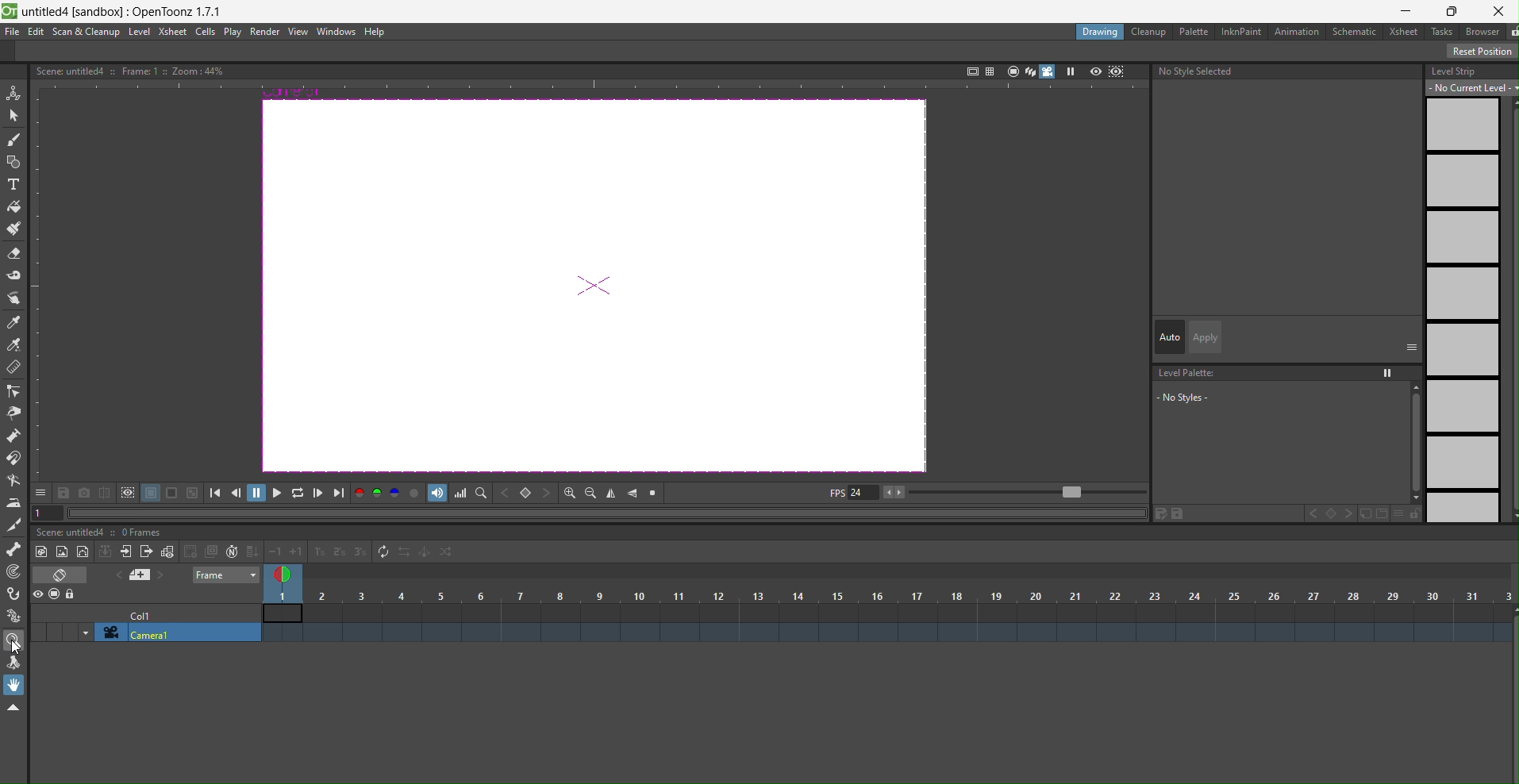 The width and height of the screenshot is (1519, 784). Describe the element at coordinates (87, 33) in the screenshot. I see `scan&cleanup` at that location.